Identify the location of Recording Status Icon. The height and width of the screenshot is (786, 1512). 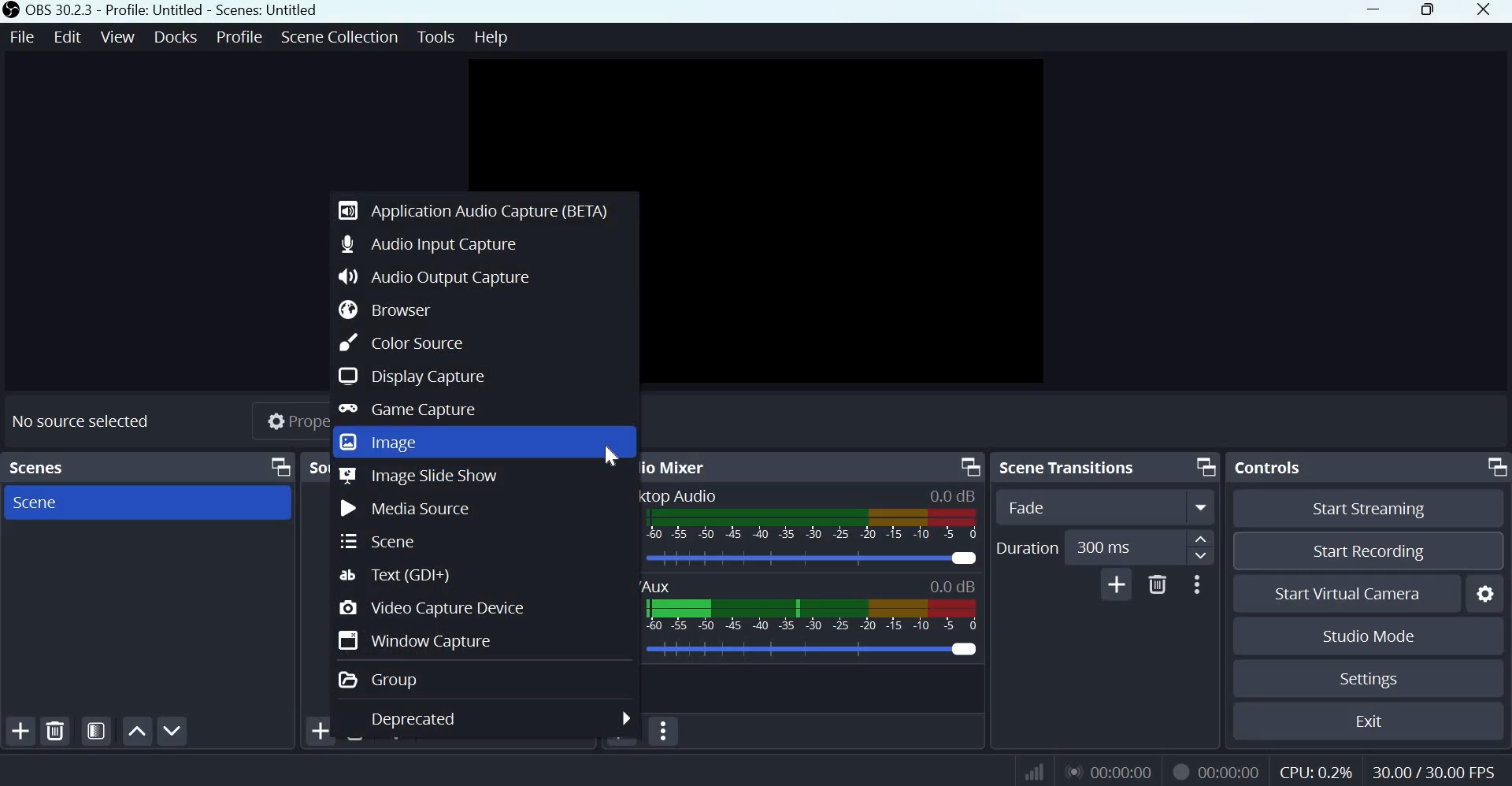
(1180, 771).